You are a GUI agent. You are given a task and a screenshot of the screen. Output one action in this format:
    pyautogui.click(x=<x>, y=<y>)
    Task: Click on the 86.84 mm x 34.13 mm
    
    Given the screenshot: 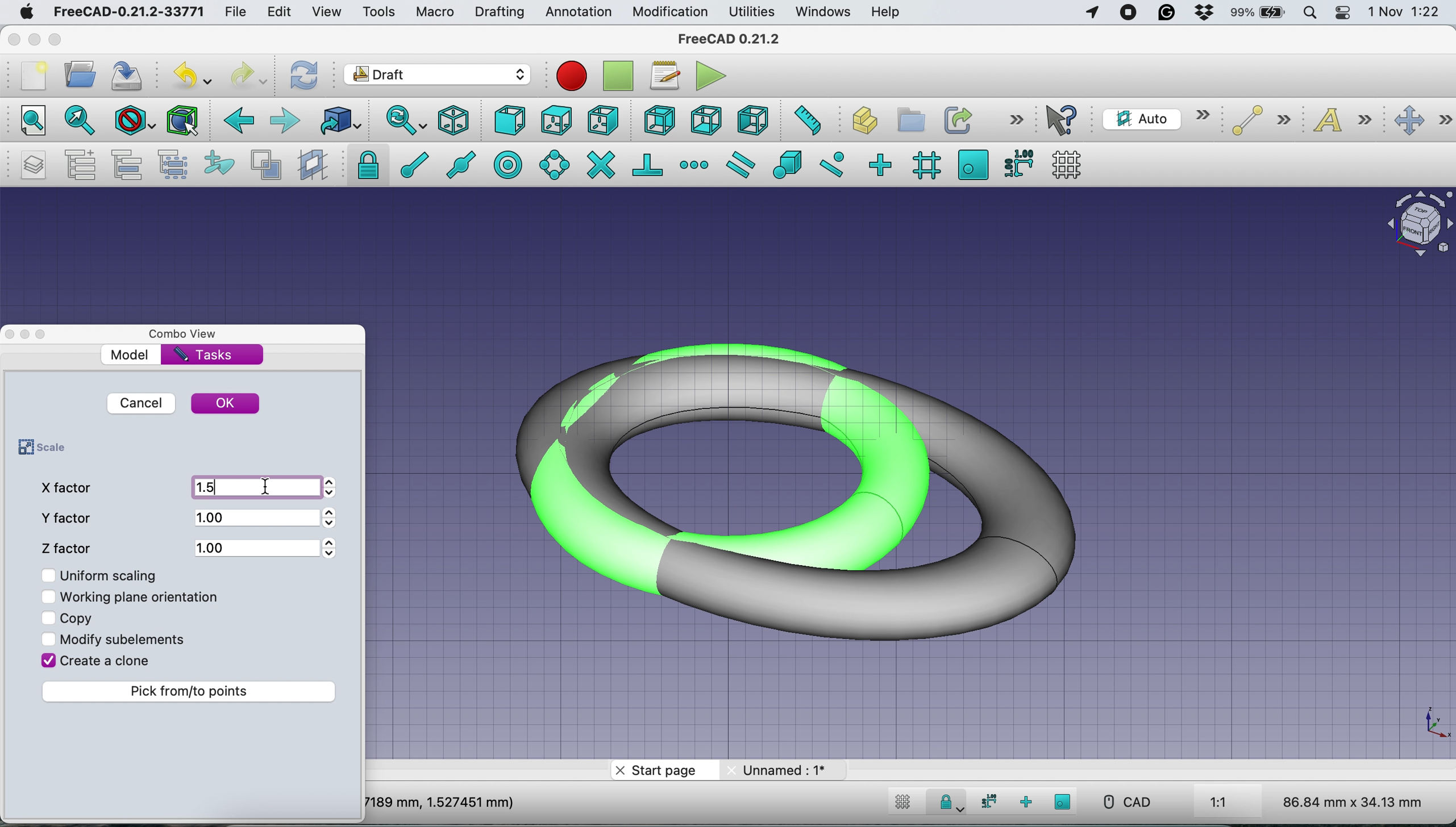 What is the action you would take?
    pyautogui.click(x=1354, y=801)
    